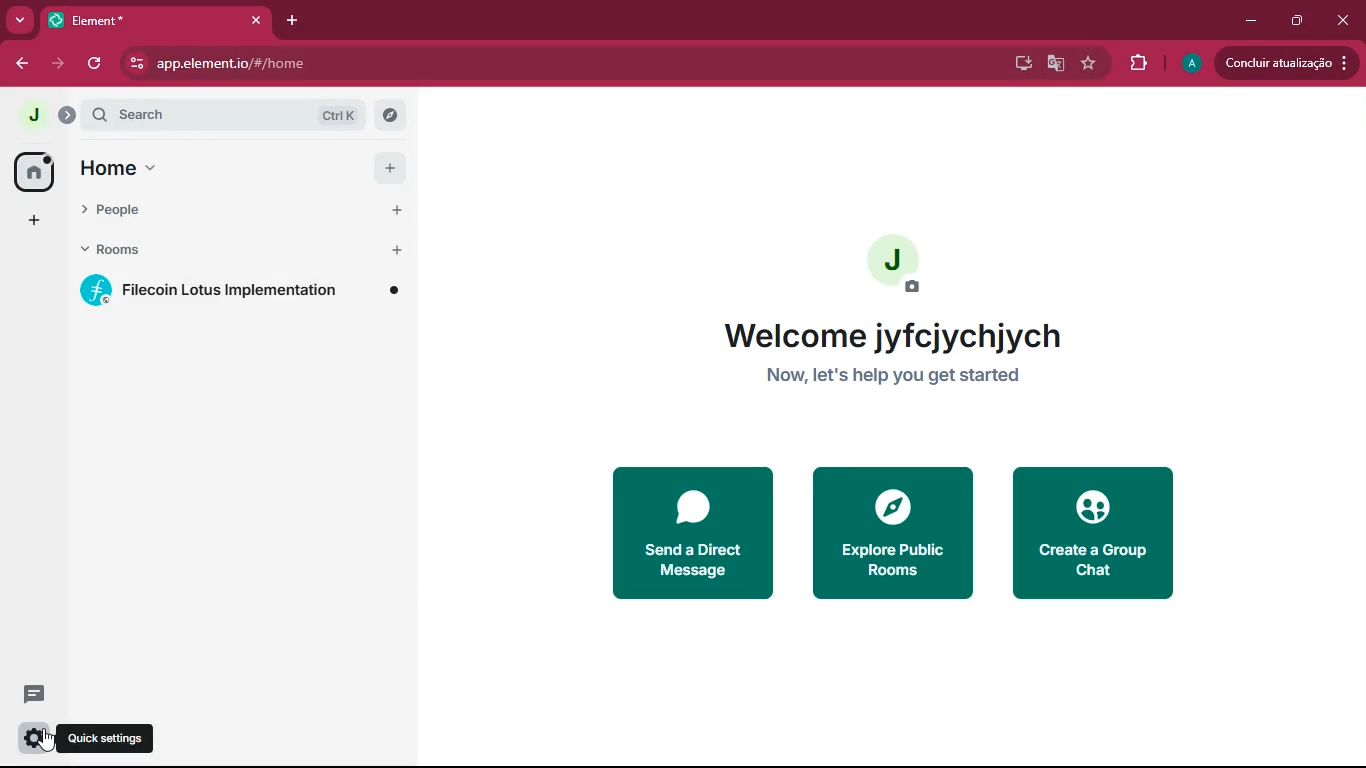  I want to click on Add, so click(394, 249).